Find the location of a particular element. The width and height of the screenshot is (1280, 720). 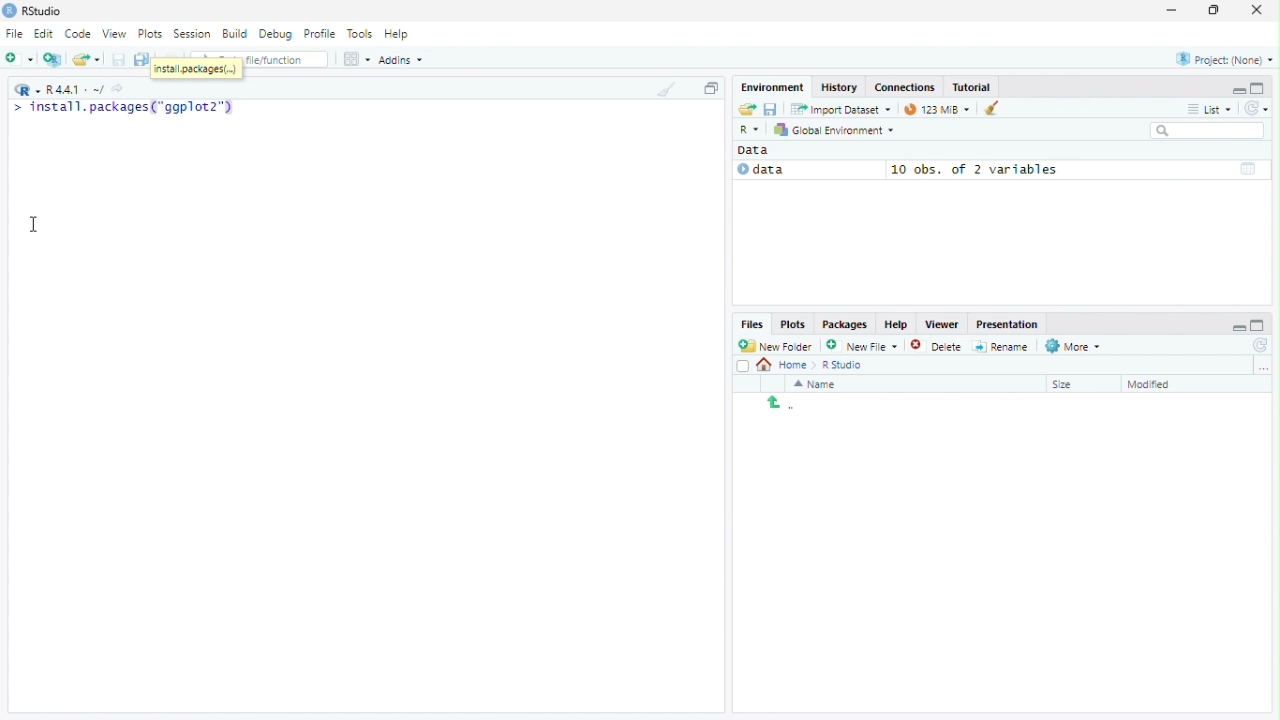

More file commands is located at coordinates (1073, 346).